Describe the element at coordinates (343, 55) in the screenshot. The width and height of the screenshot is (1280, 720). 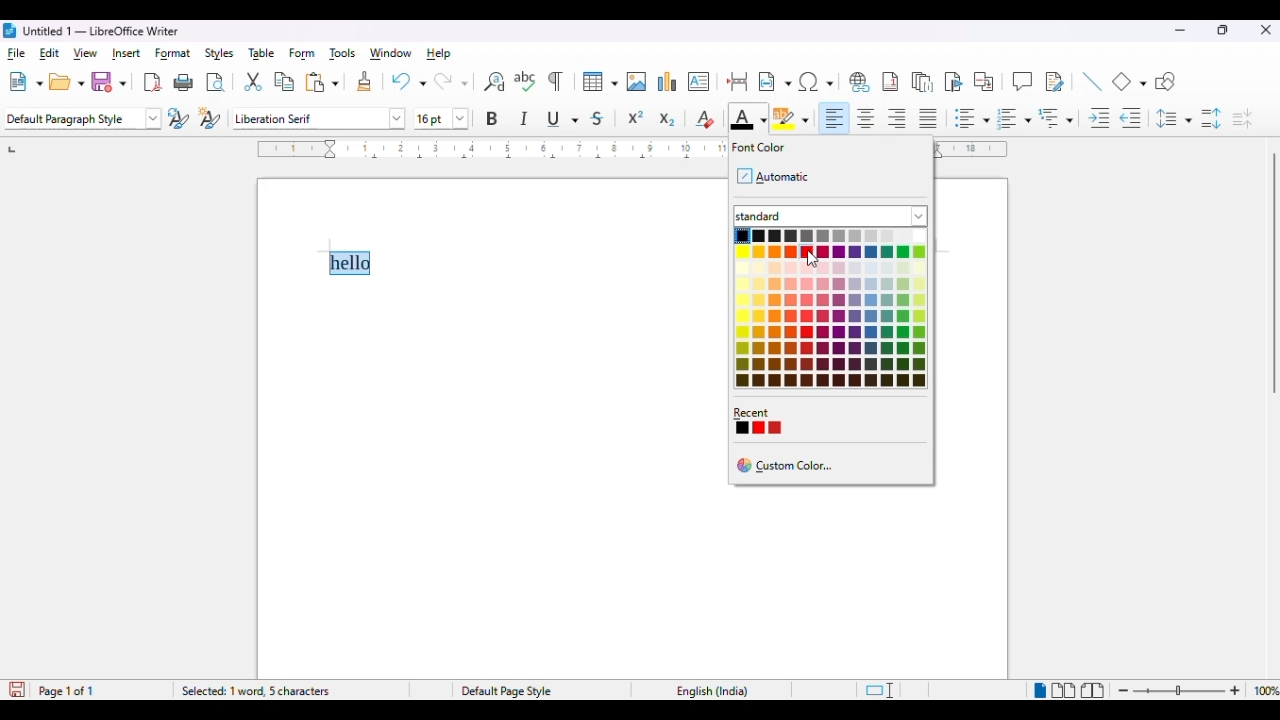
I see `tools` at that location.